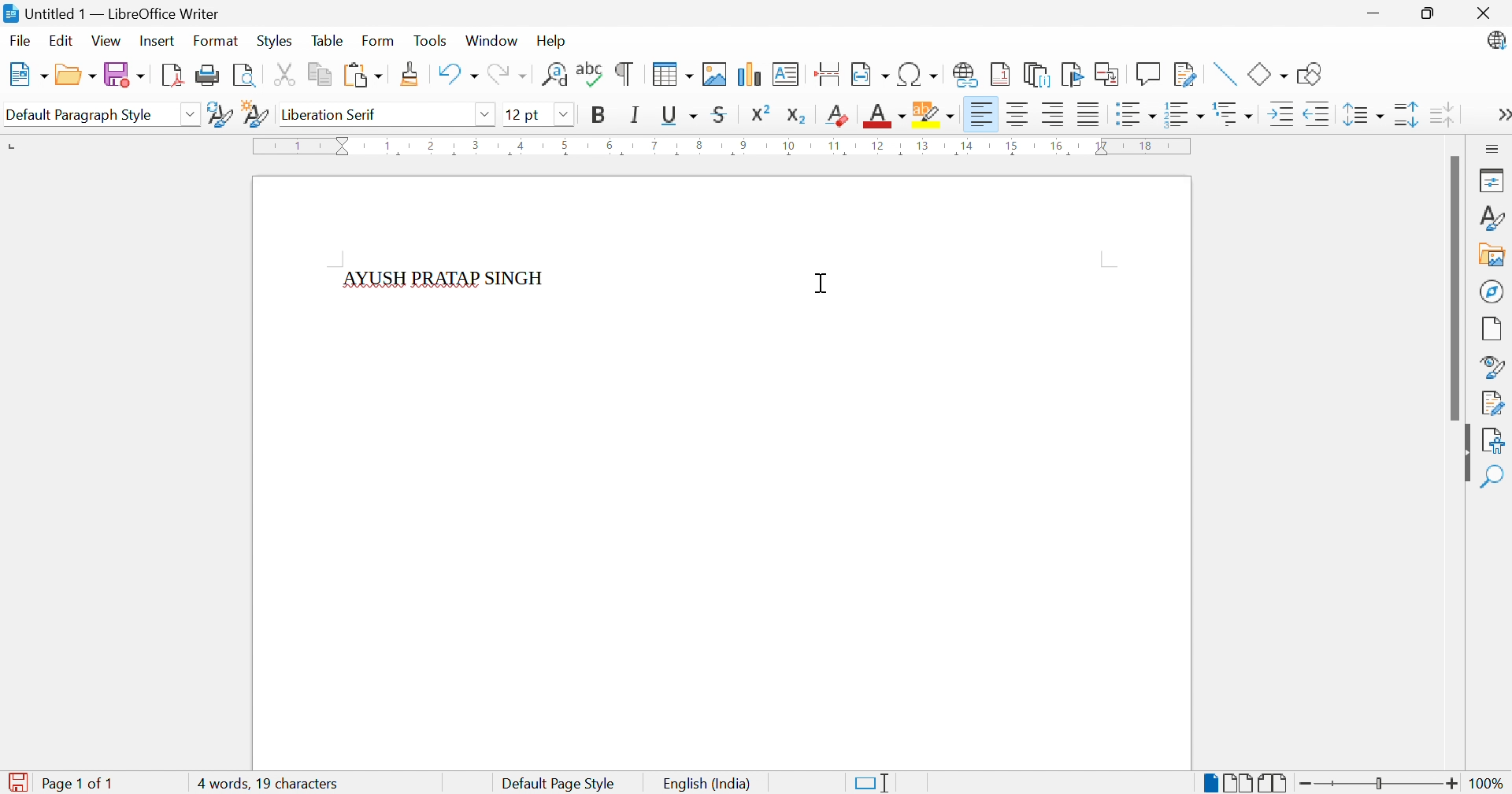  I want to click on Underline, so click(679, 116).